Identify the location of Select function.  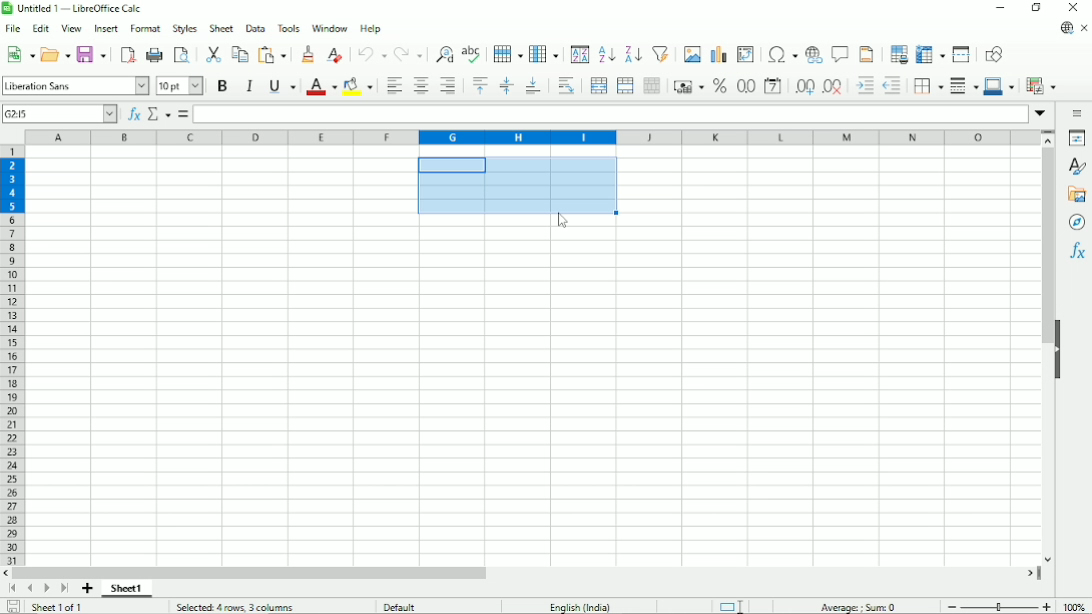
(159, 114).